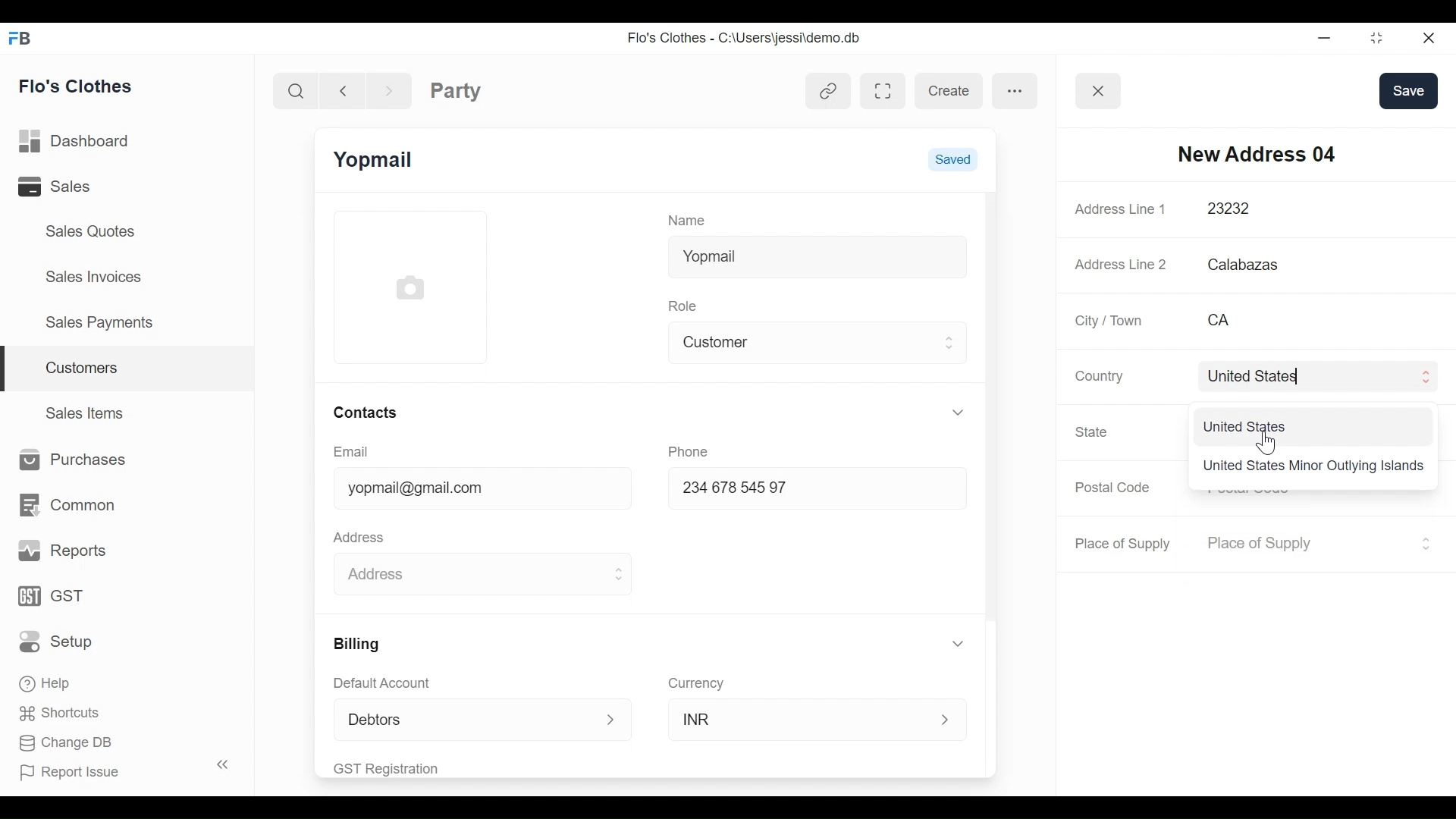 Image resolution: width=1456 pixels, height=819 pixels. I want to click on Party, so click(456, 90).